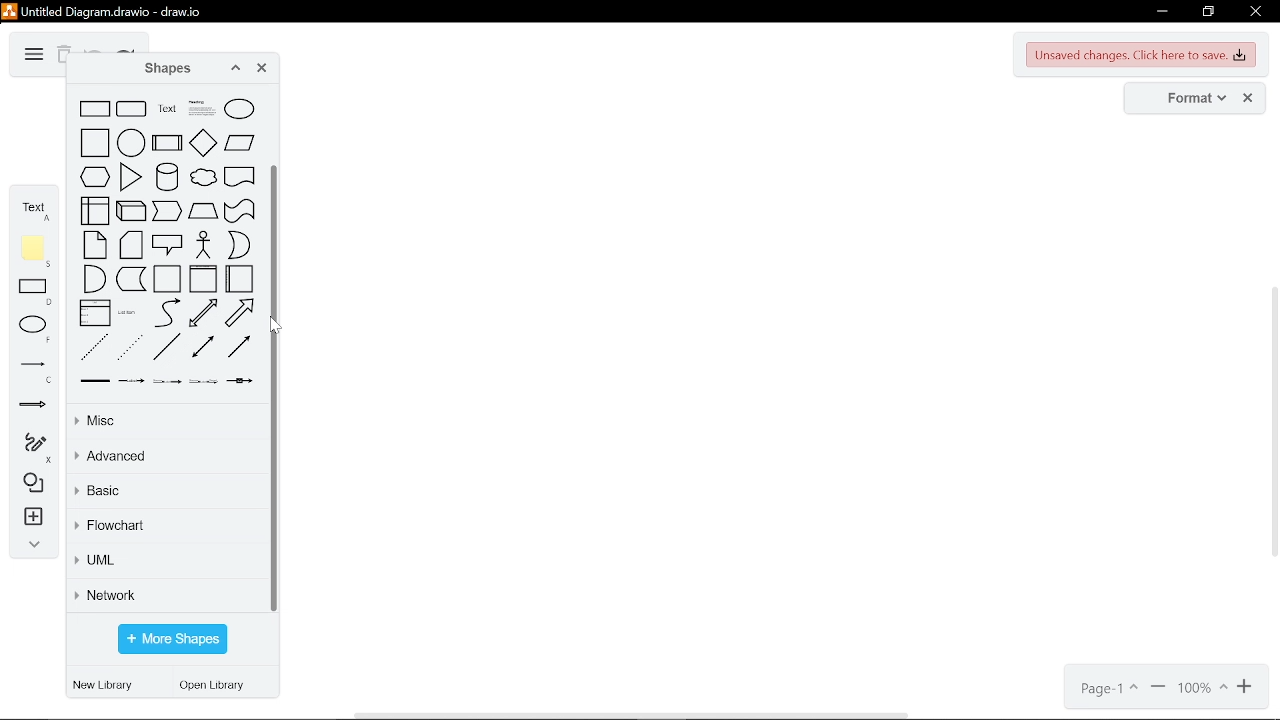  I want to click on collapse, so click(30, 547).